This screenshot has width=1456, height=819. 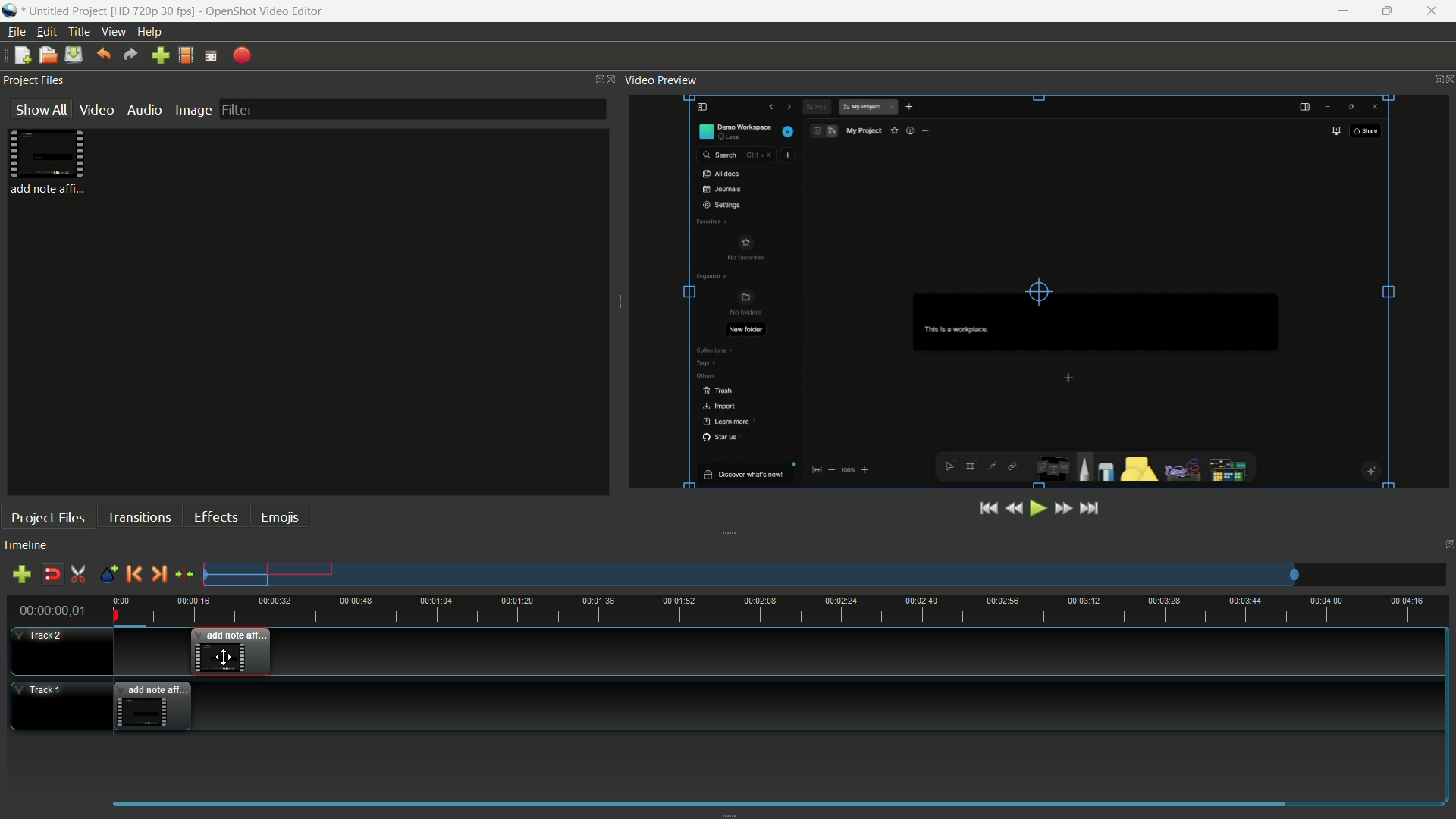 I want to click on preview video, so click(x=1037, y=290).